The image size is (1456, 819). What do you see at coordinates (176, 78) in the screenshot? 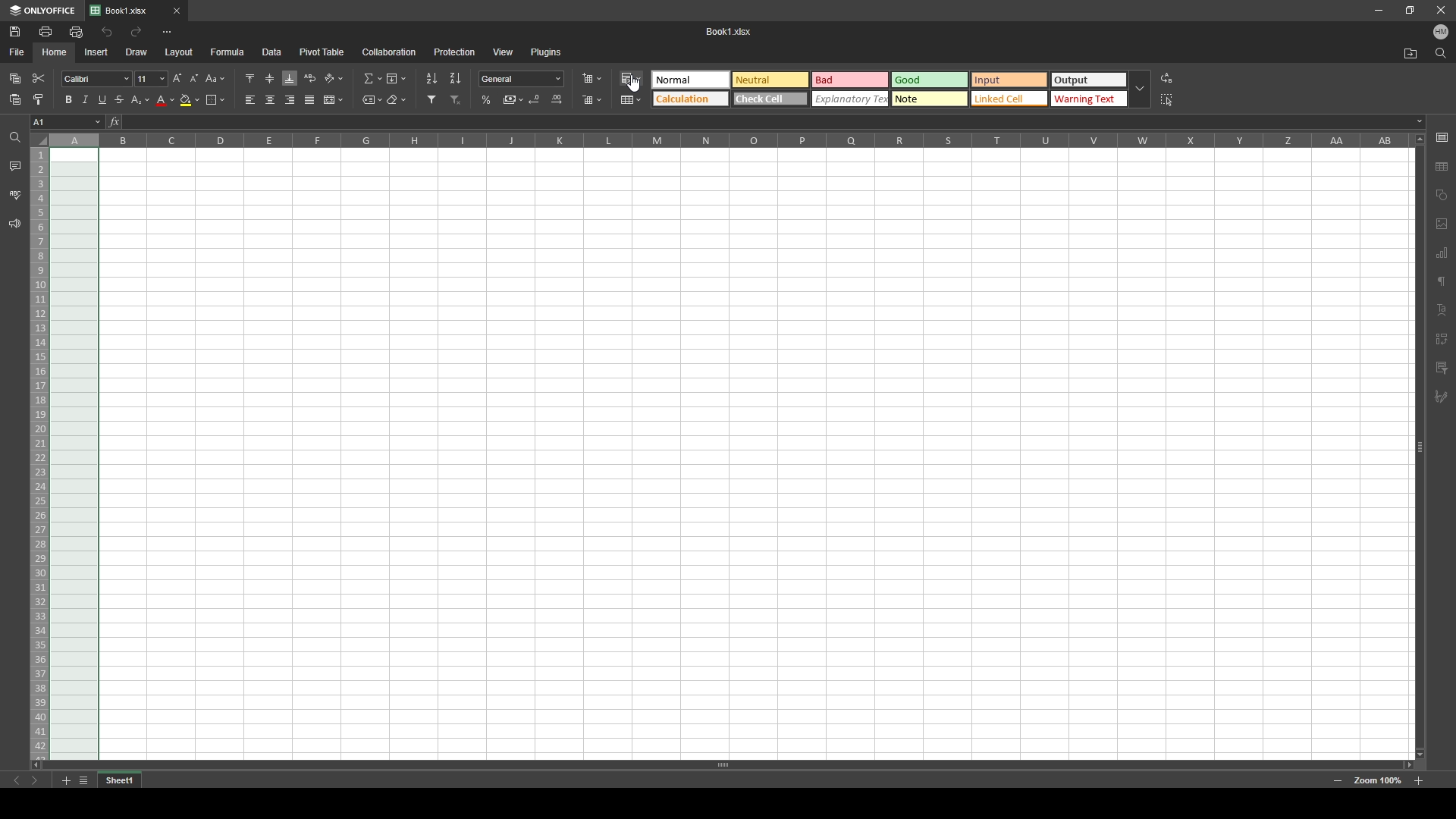
I see `increment font size` at bounding box center [176, 78].